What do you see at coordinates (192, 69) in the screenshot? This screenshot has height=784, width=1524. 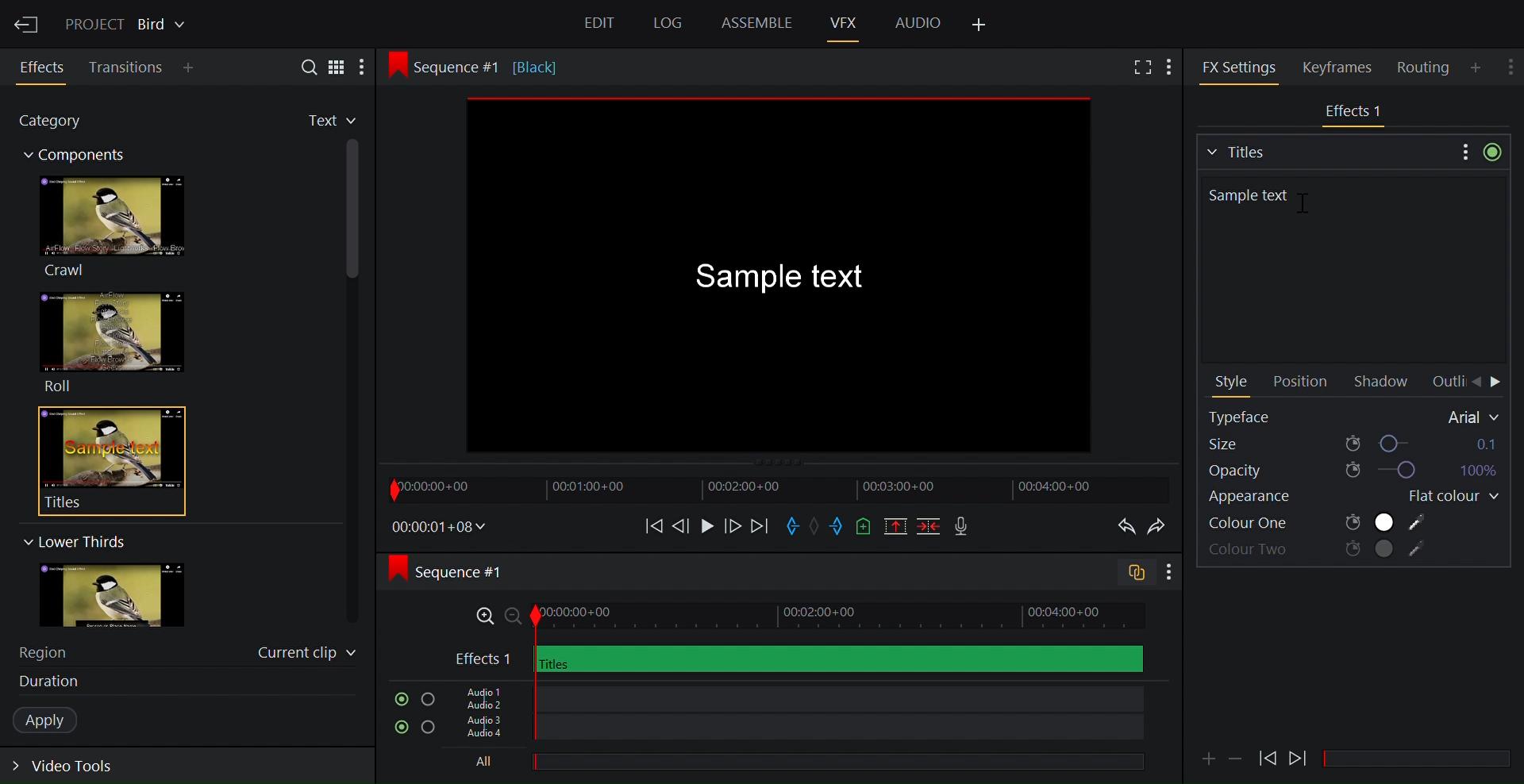 I see `Add Panel` at bounding box center [192, 69].